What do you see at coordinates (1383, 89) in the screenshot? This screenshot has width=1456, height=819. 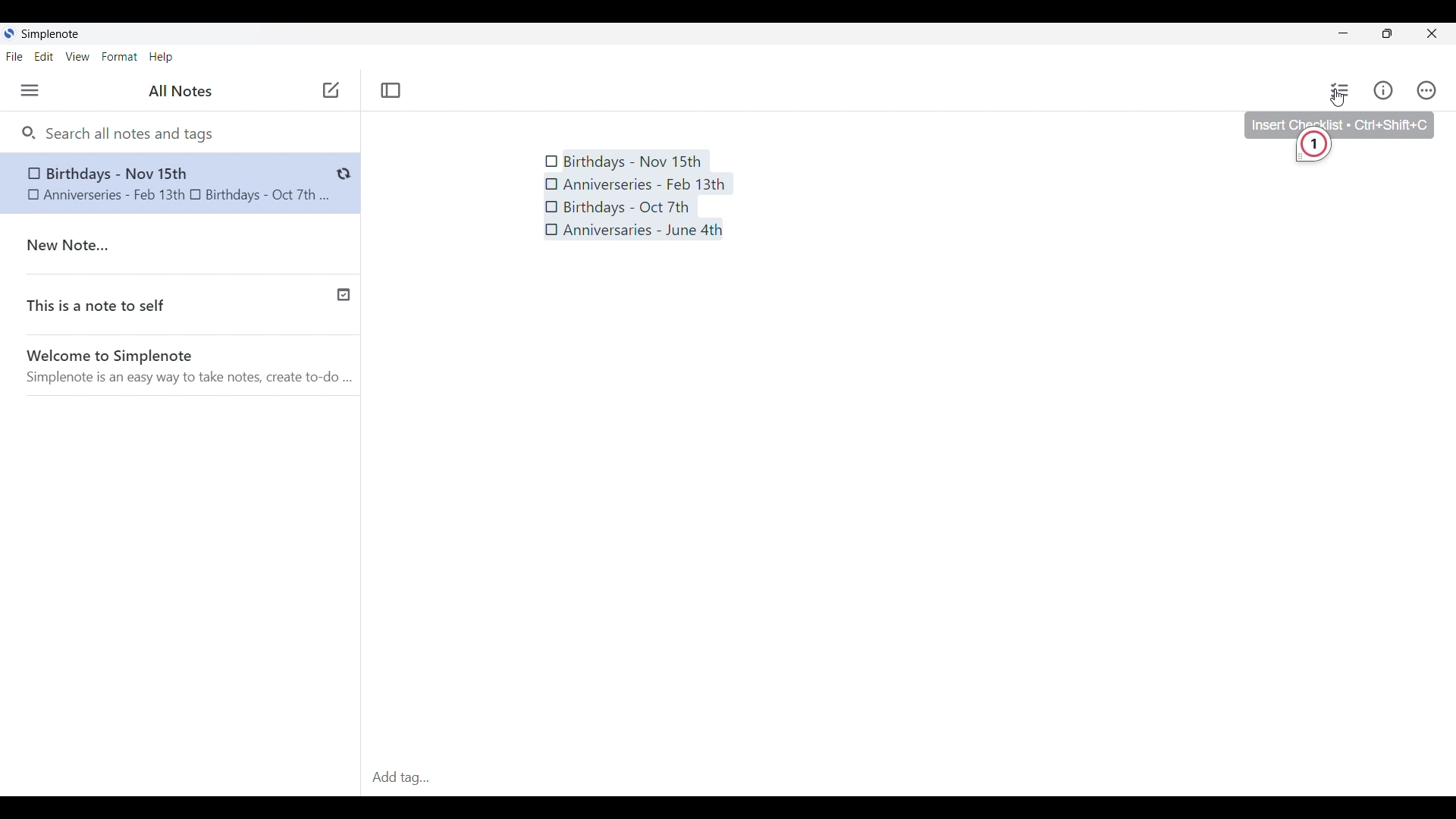 I see `Info` at bounding box center [1383, 89].